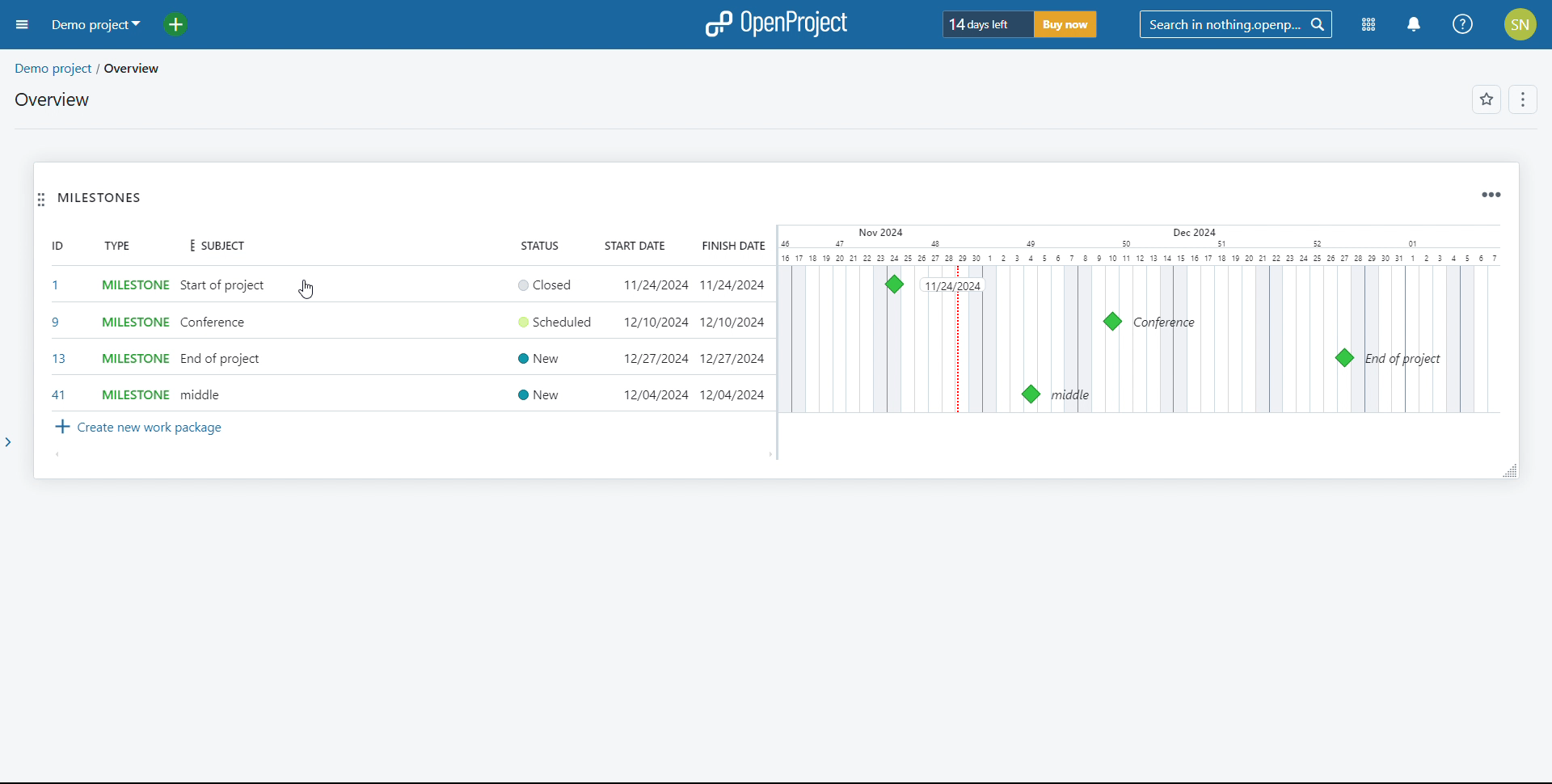 The height and width of the screenshot is (784, 1552). Describe the element at coordinates (774, 24) in the screenshot. I see `logo` at that location.